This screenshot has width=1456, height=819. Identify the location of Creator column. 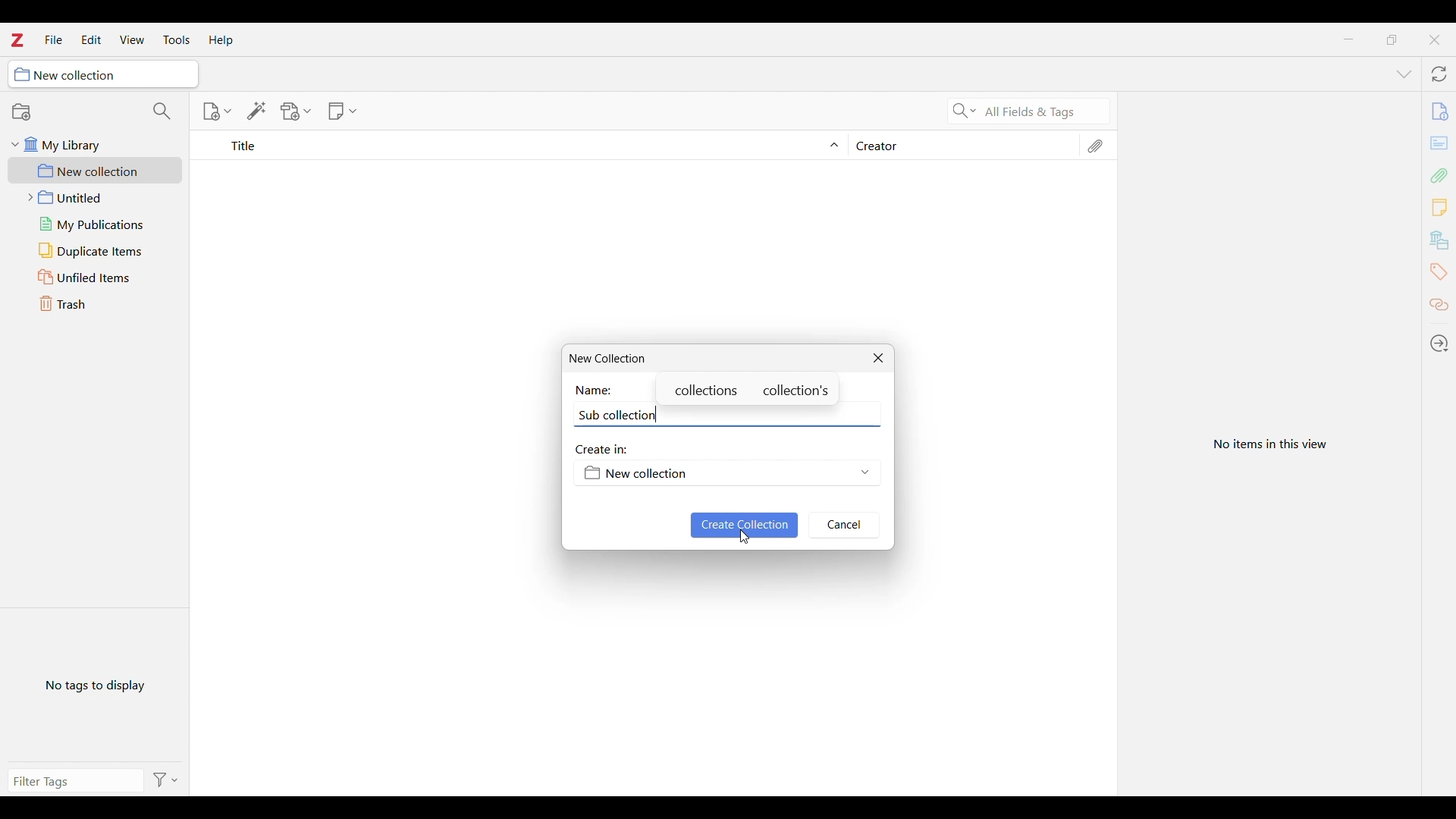
(960, 145).